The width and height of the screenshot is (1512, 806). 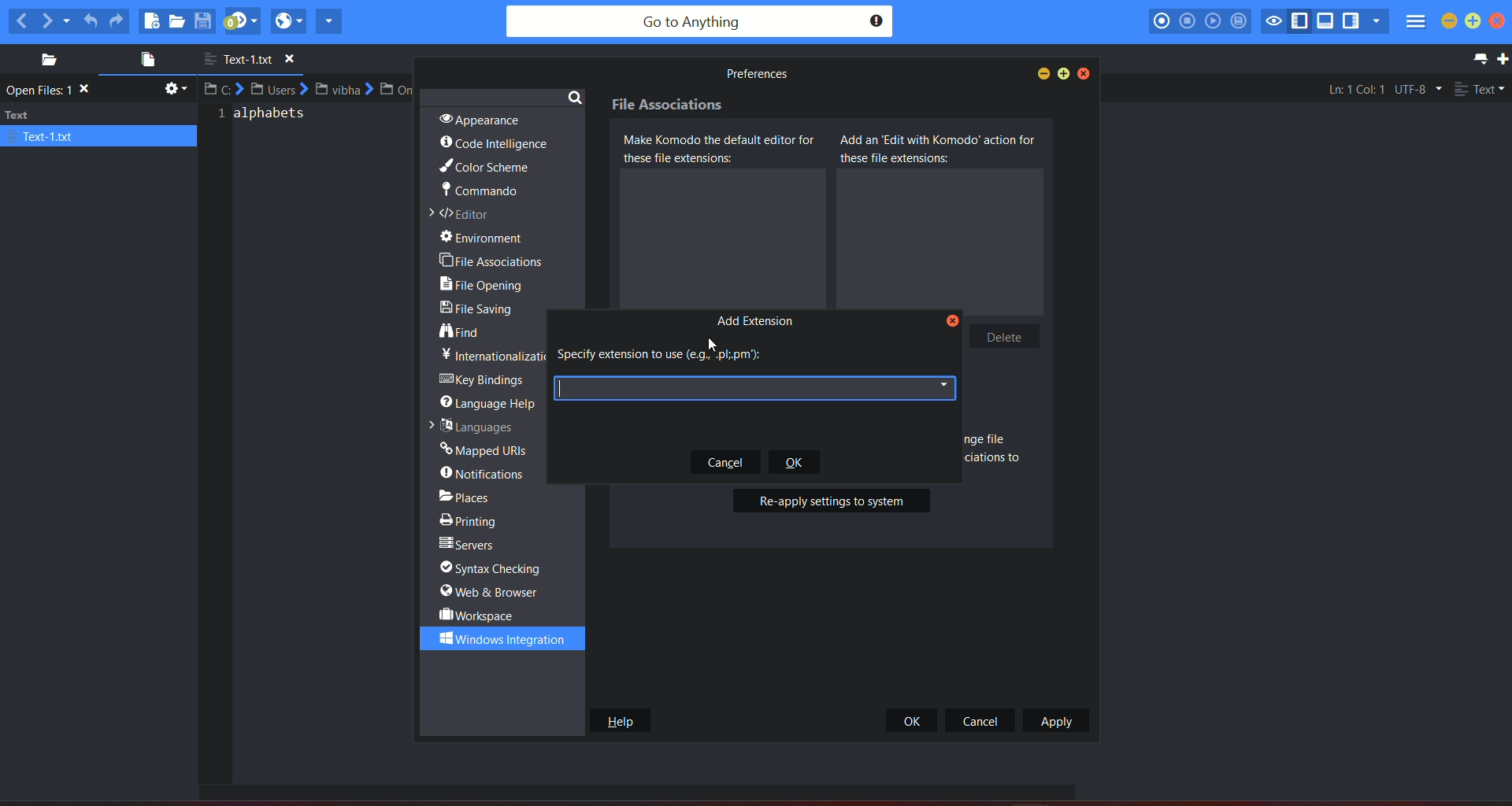 What do you see at coordinates (1414, 24) in the screenshot?
I see `menu` at bounding box center [1414, 24].